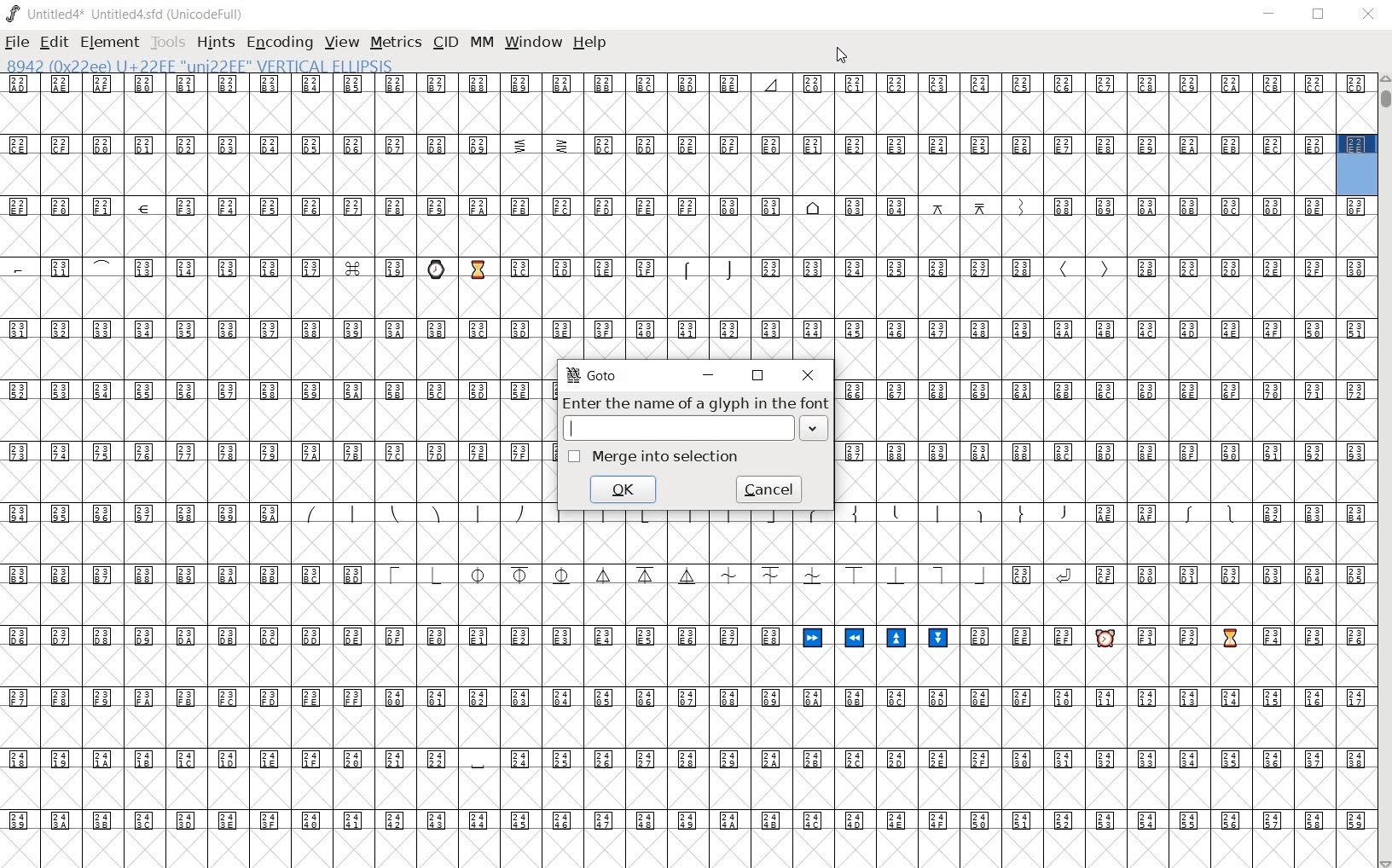 The image size is (1392, 868). What do you see at coordinates (18, 41) in the screenshot?
I see `FILE` at bounding box center [18, 41].